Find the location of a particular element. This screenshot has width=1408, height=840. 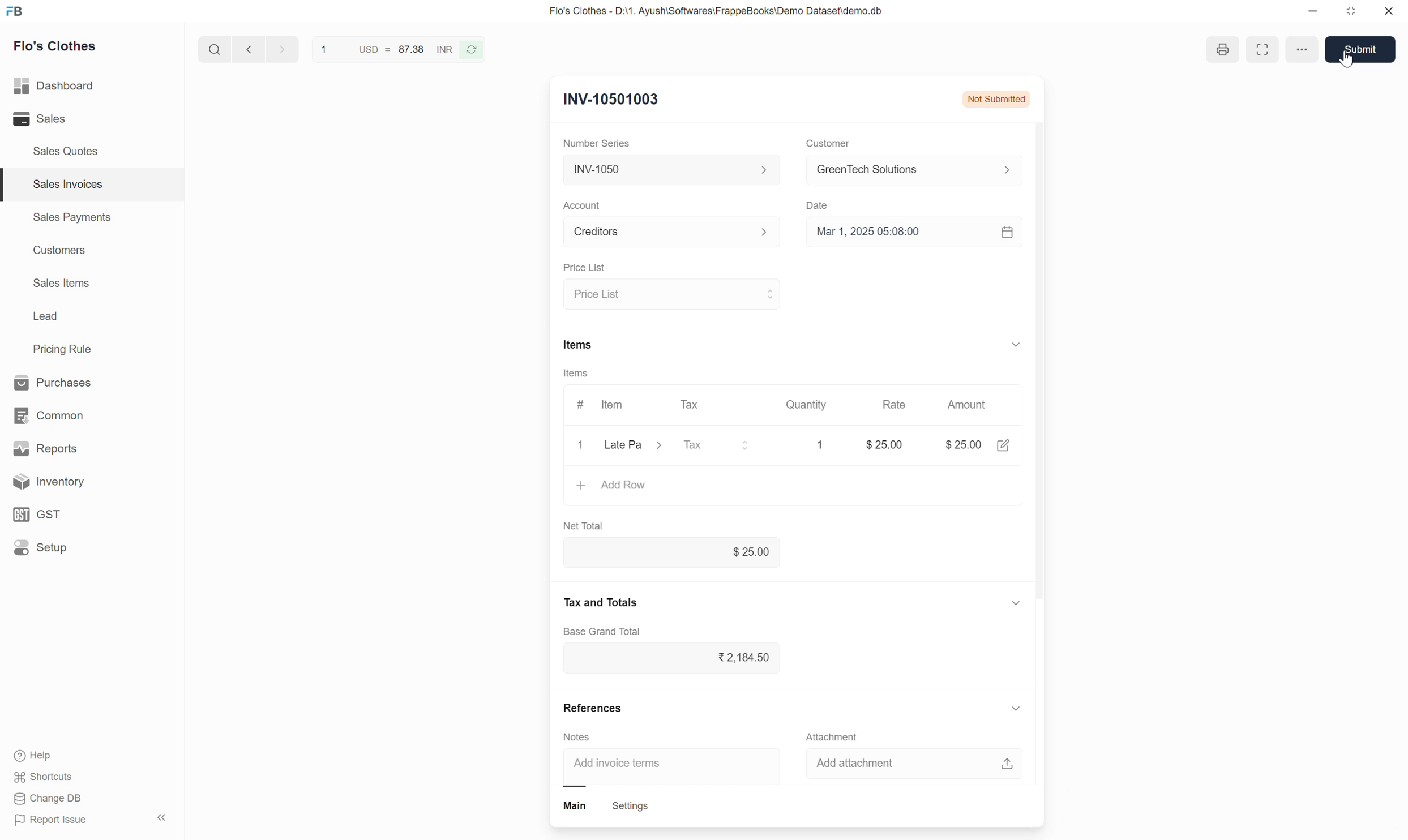

Select item is located at coordinates (639, 446).